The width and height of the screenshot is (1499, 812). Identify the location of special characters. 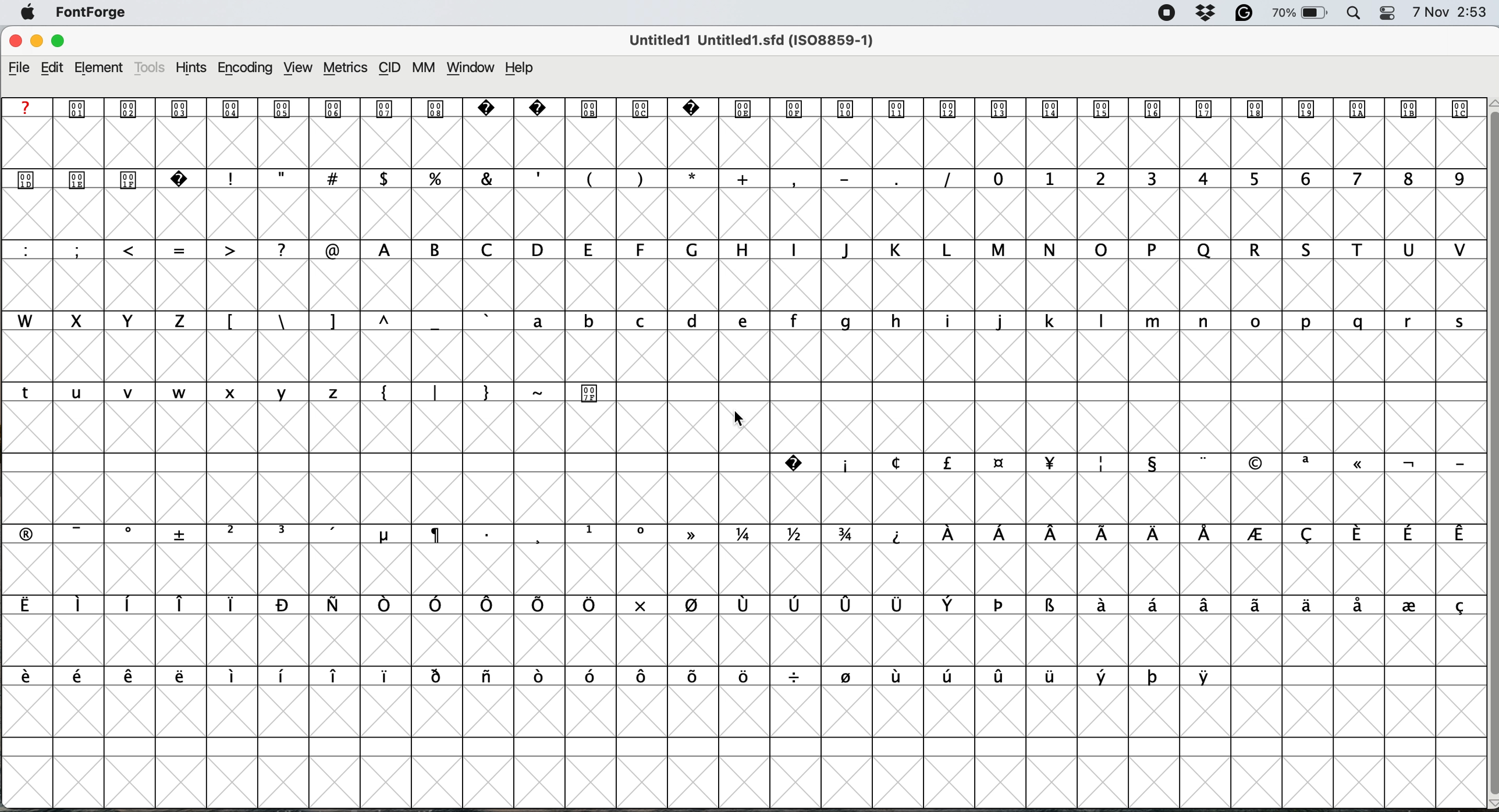
(607, 675).